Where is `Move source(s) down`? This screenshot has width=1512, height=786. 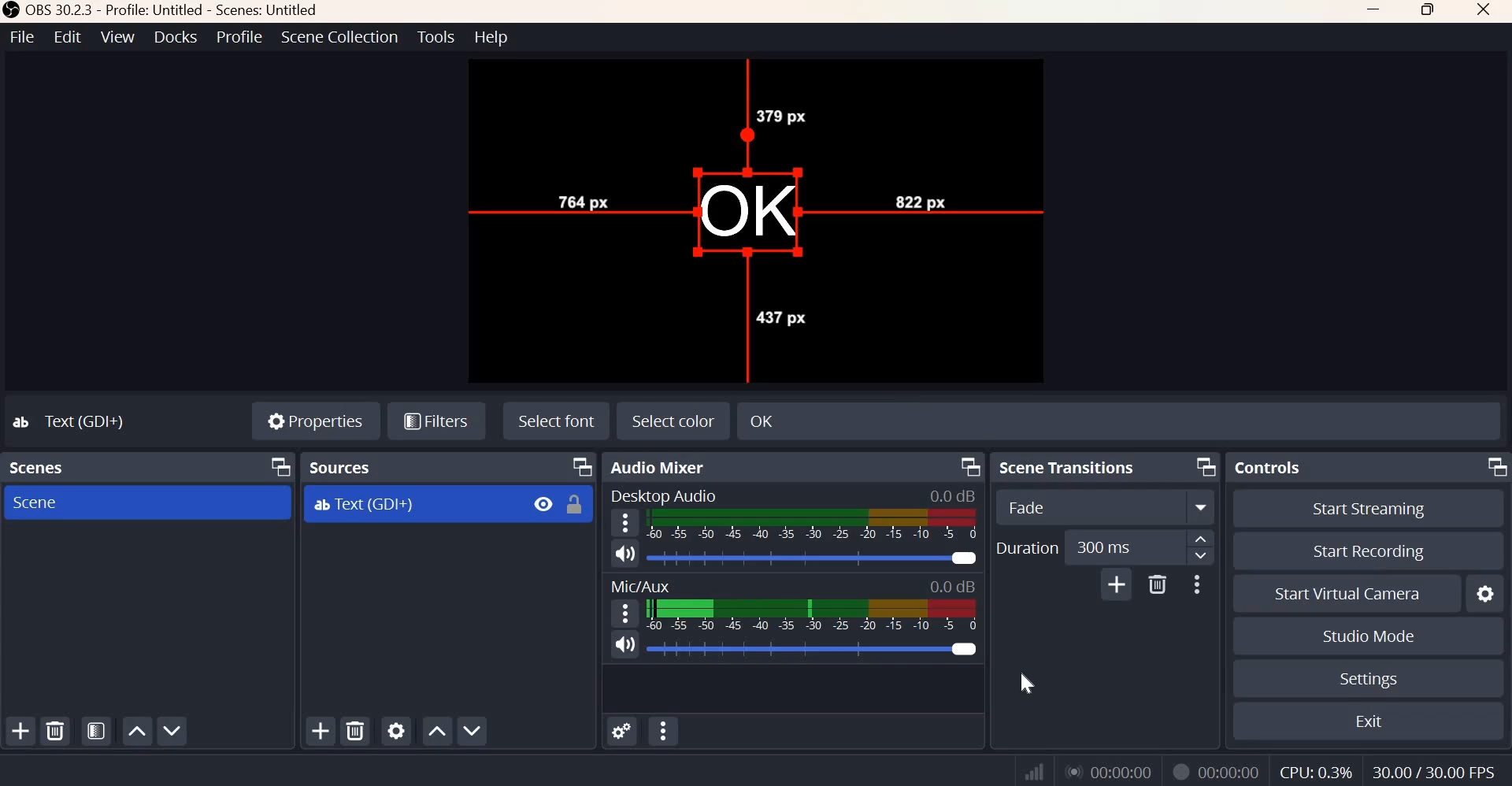
Move source(s) down is located at coordinates (471, 730).